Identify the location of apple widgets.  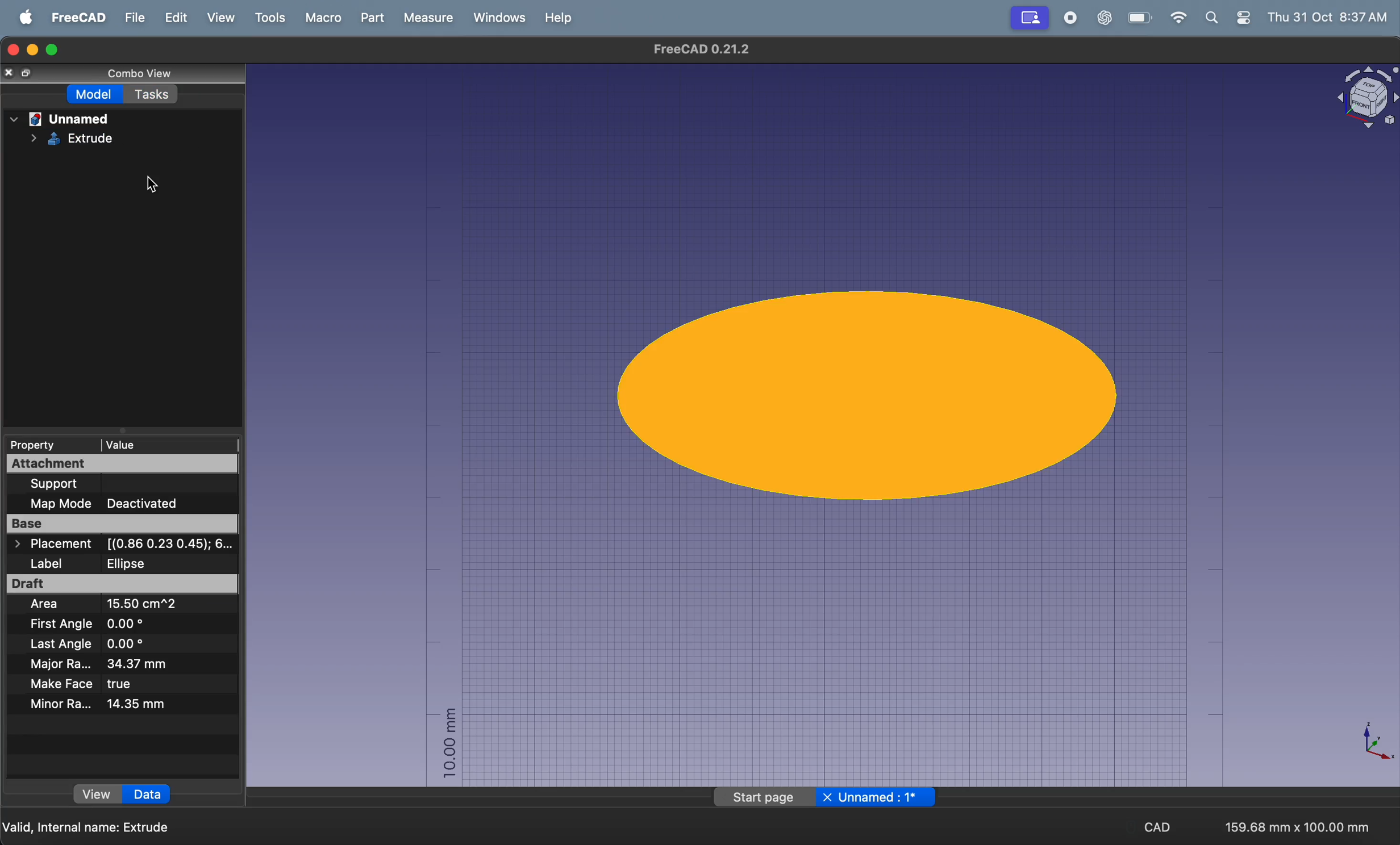
(1227, 19).